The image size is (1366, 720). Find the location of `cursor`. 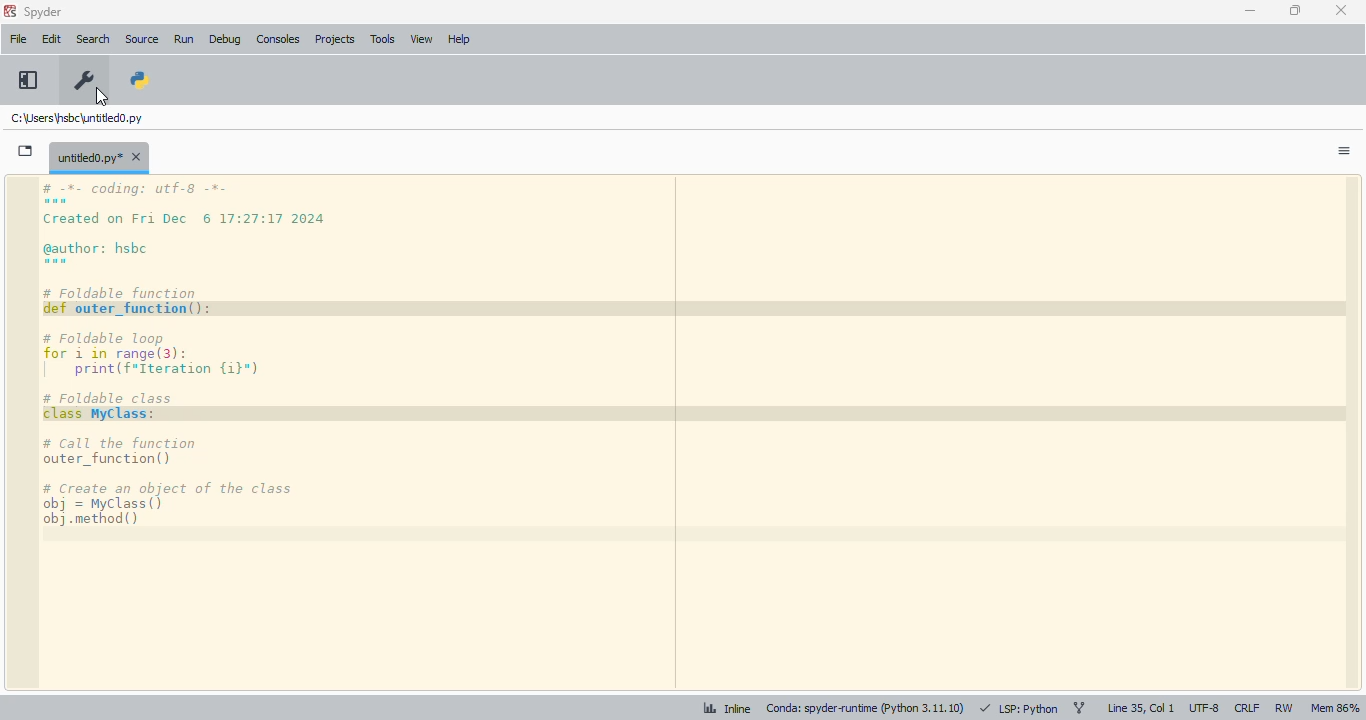

cursor is located at coordinates (102, 96).